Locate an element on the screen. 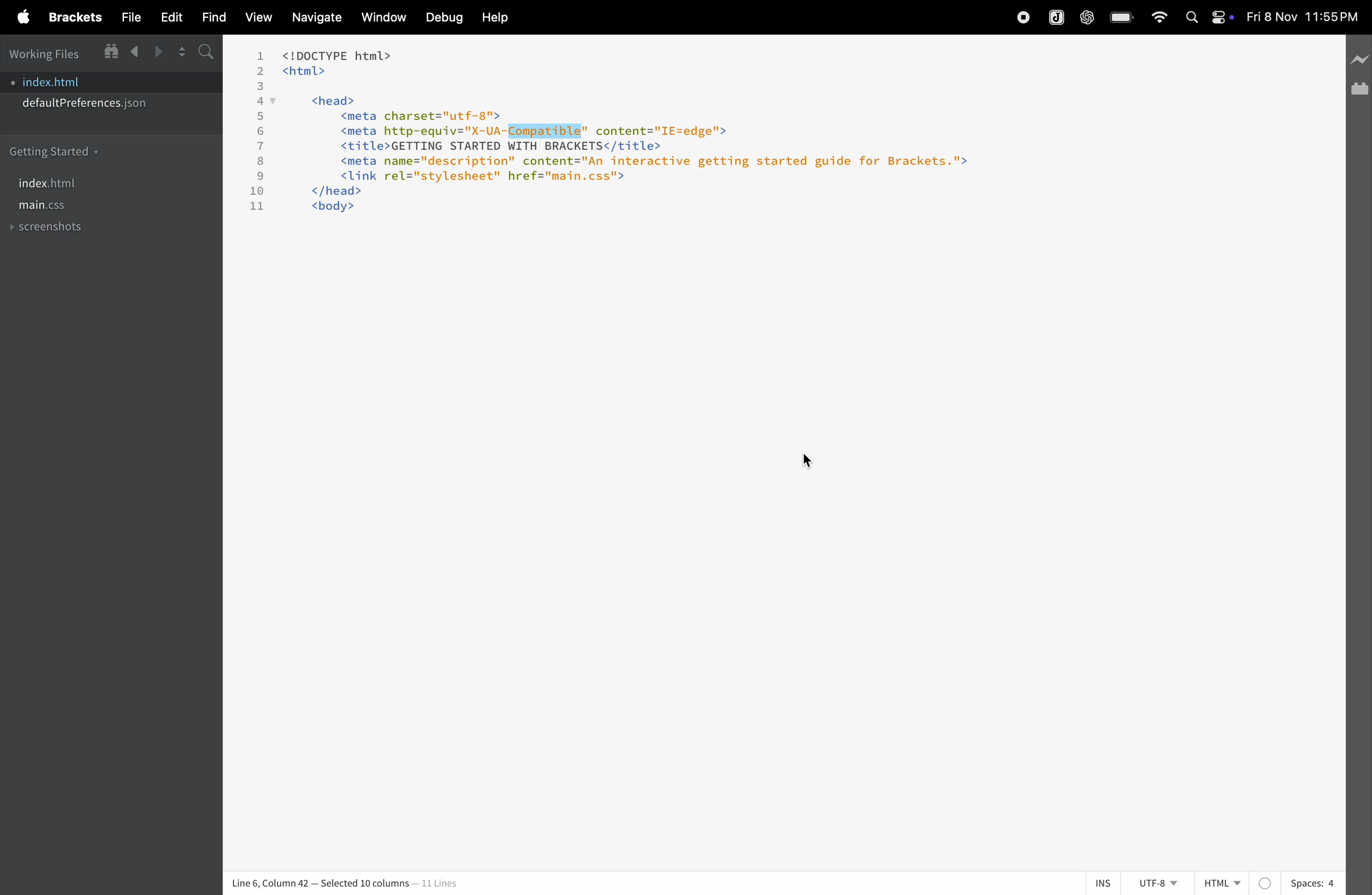 This screenshot has width=1372, height=895. search is located at coordinates (1192, 20).